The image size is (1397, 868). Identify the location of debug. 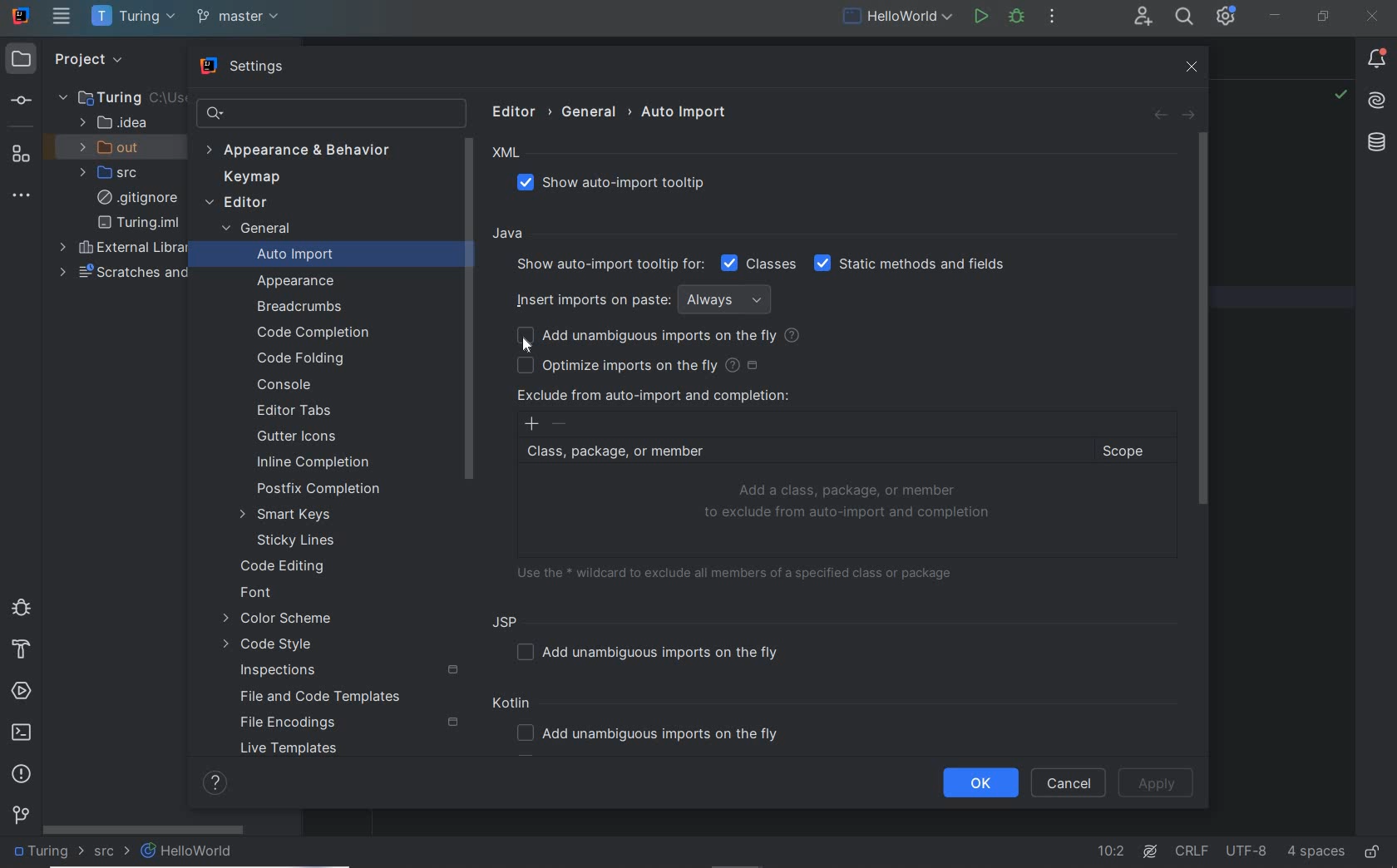
(19, 606).